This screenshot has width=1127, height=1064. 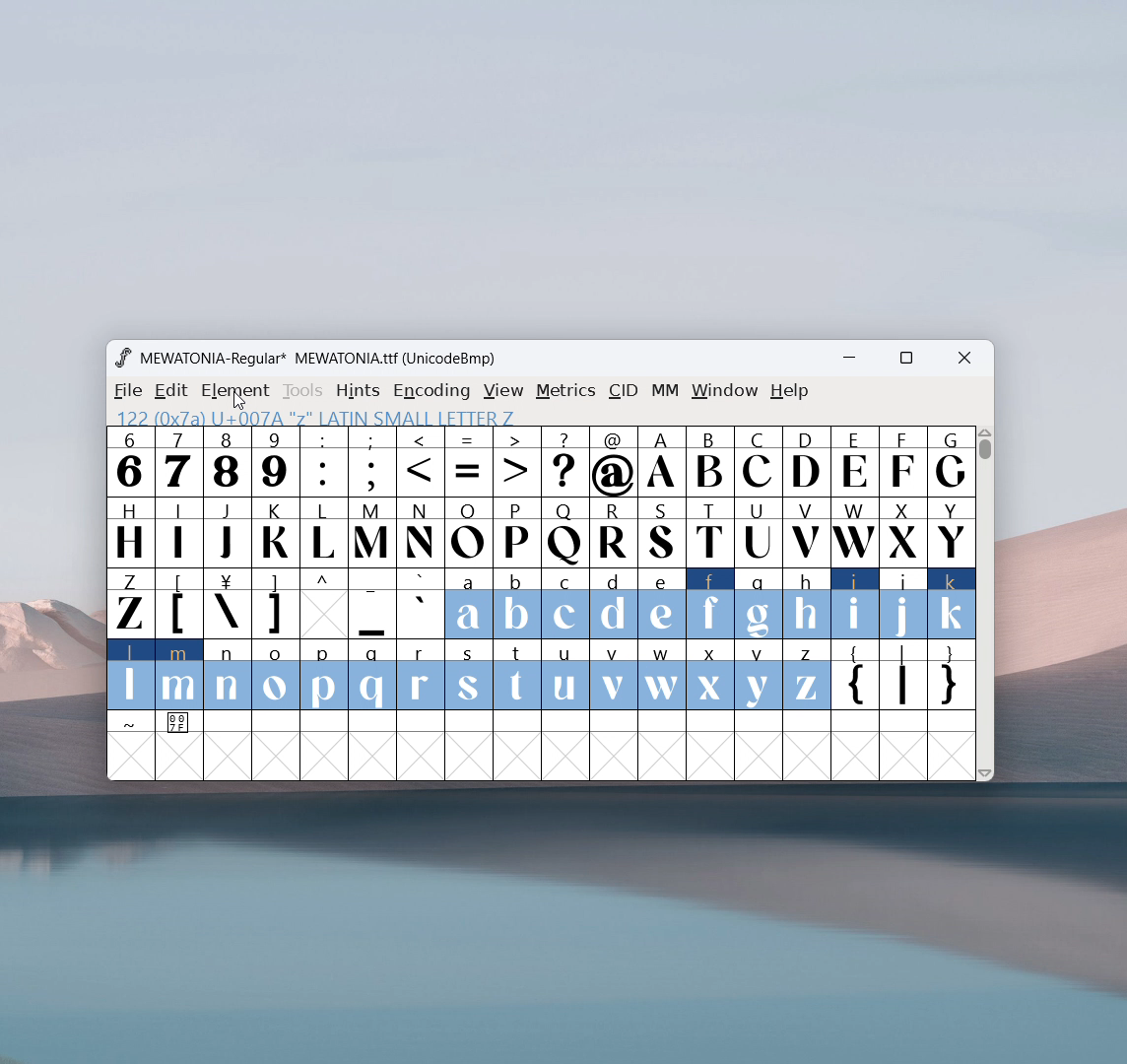 I want to click on ], so click(x=275, y=604).